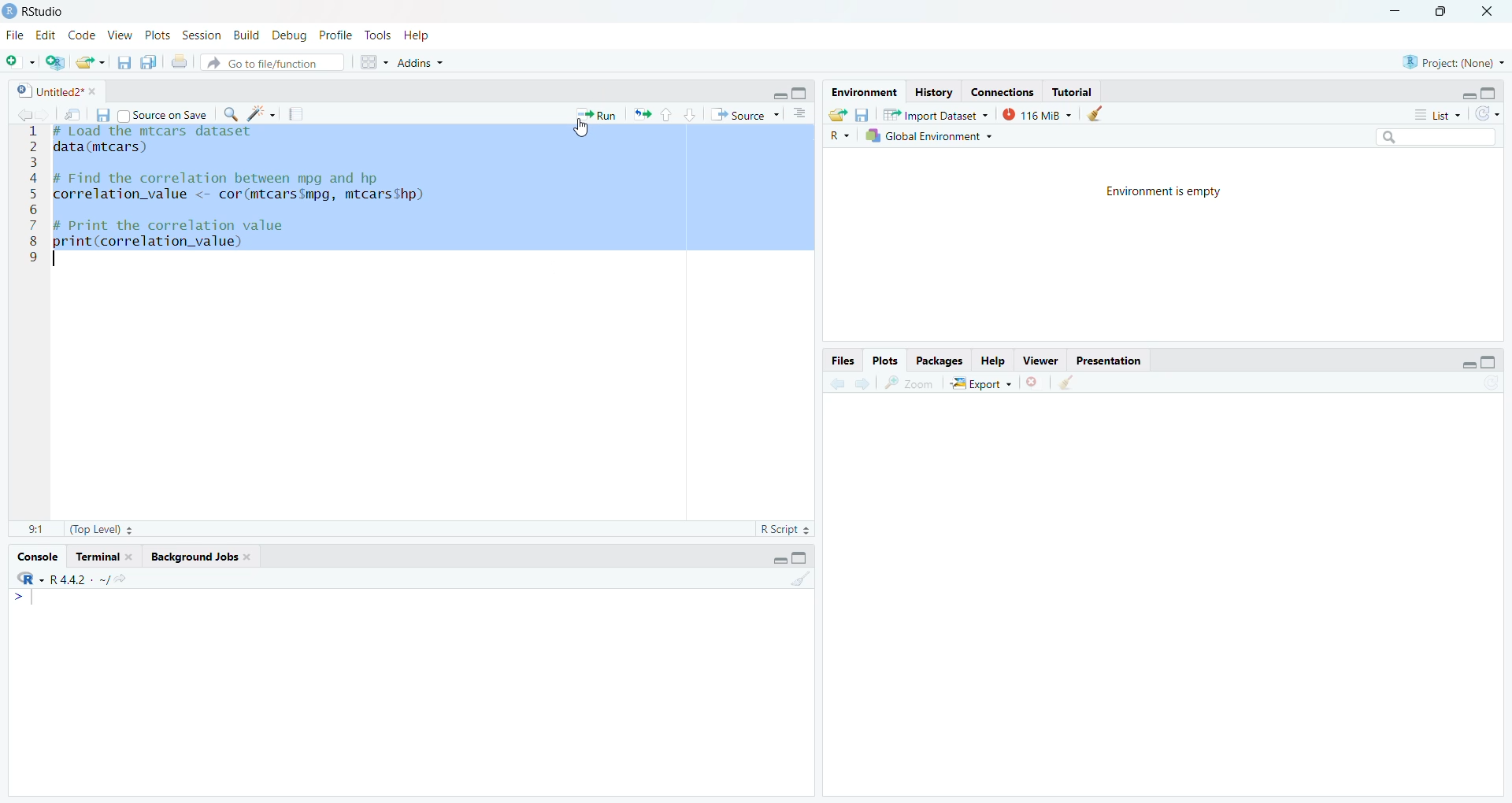 The width and height of the screenshot is (1512, 803). What do you see at coordinates (643, 112) in the screenshot?
I see `Re-run the previous code region (Ctrl + Alt + P)` at bounding box center [643, 112].